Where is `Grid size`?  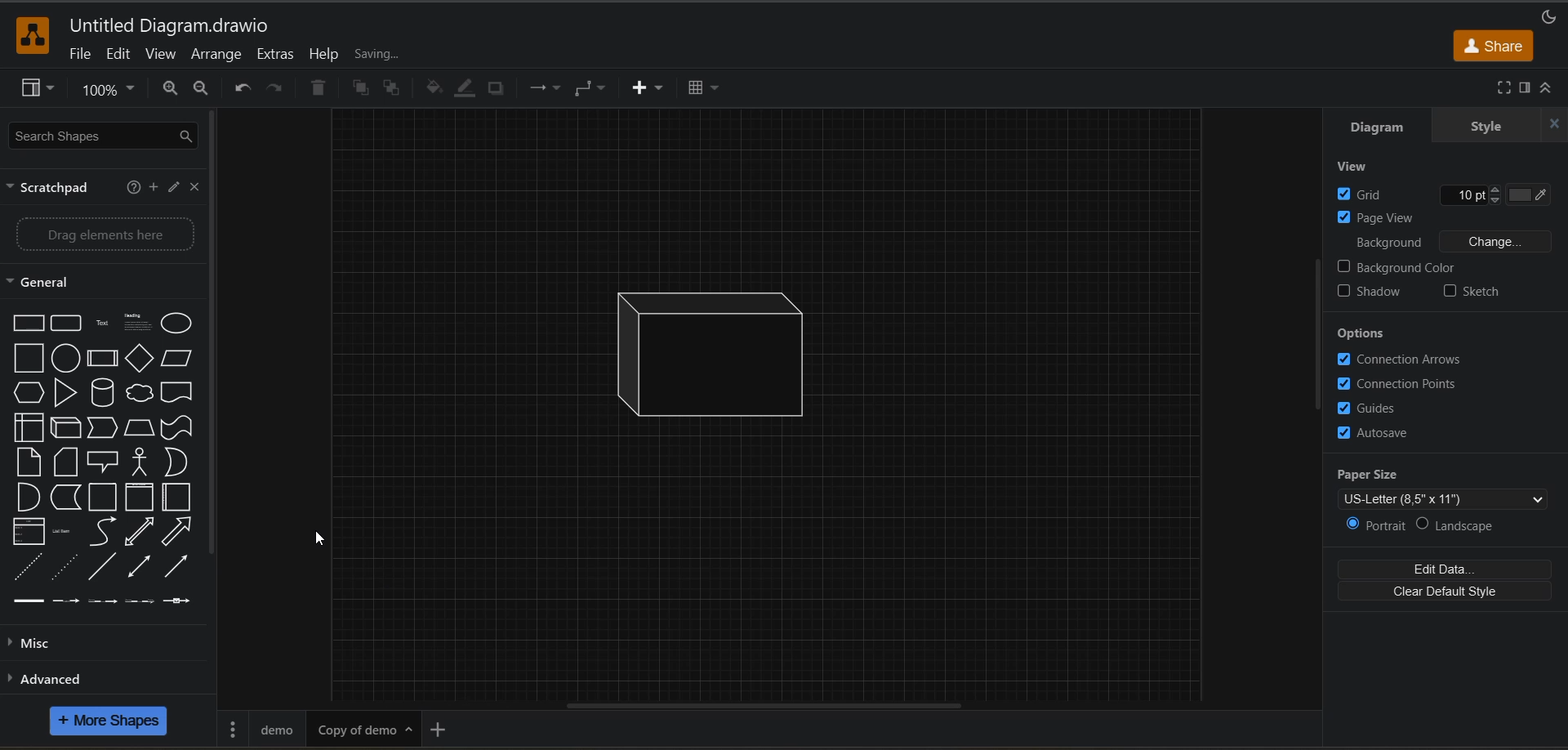
Grid size is located at coordinates (1468, 195).